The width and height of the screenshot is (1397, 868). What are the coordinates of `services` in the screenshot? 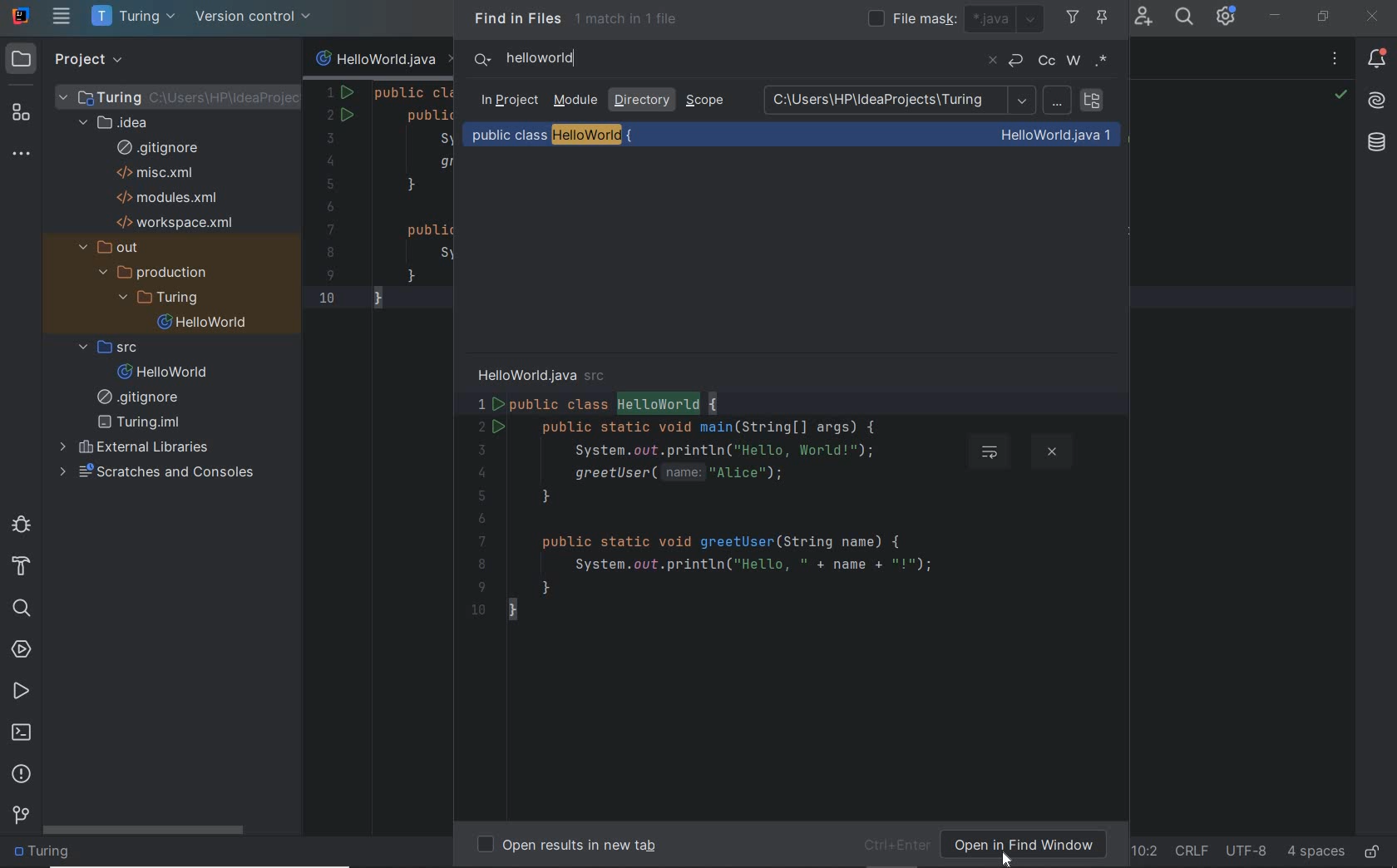 It's located at (23, 649).